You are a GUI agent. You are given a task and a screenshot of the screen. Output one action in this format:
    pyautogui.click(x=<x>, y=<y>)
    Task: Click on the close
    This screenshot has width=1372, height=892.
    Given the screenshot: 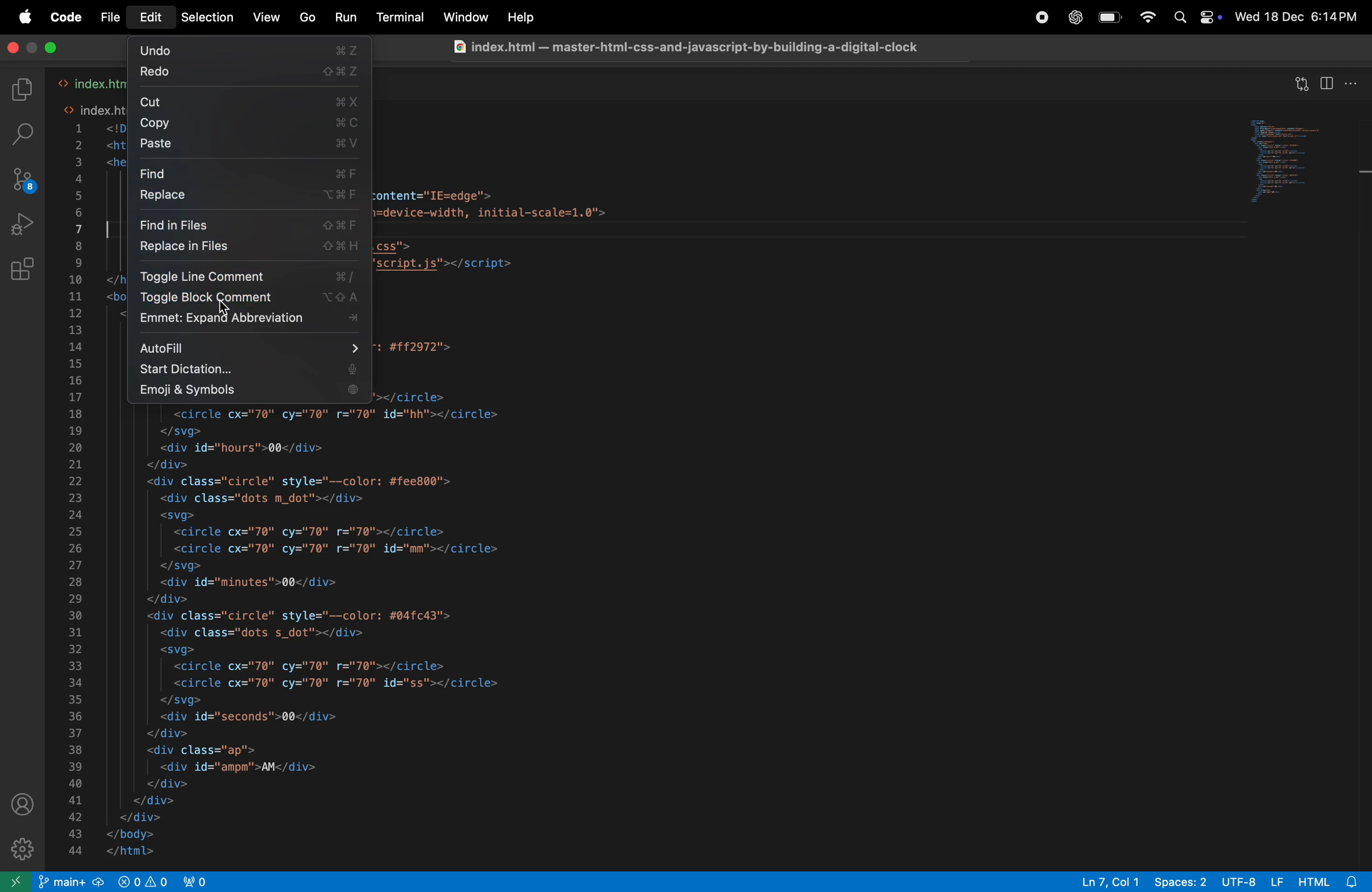 What is the action you would take?
    pyautogui.click(x=18, y=48)
    